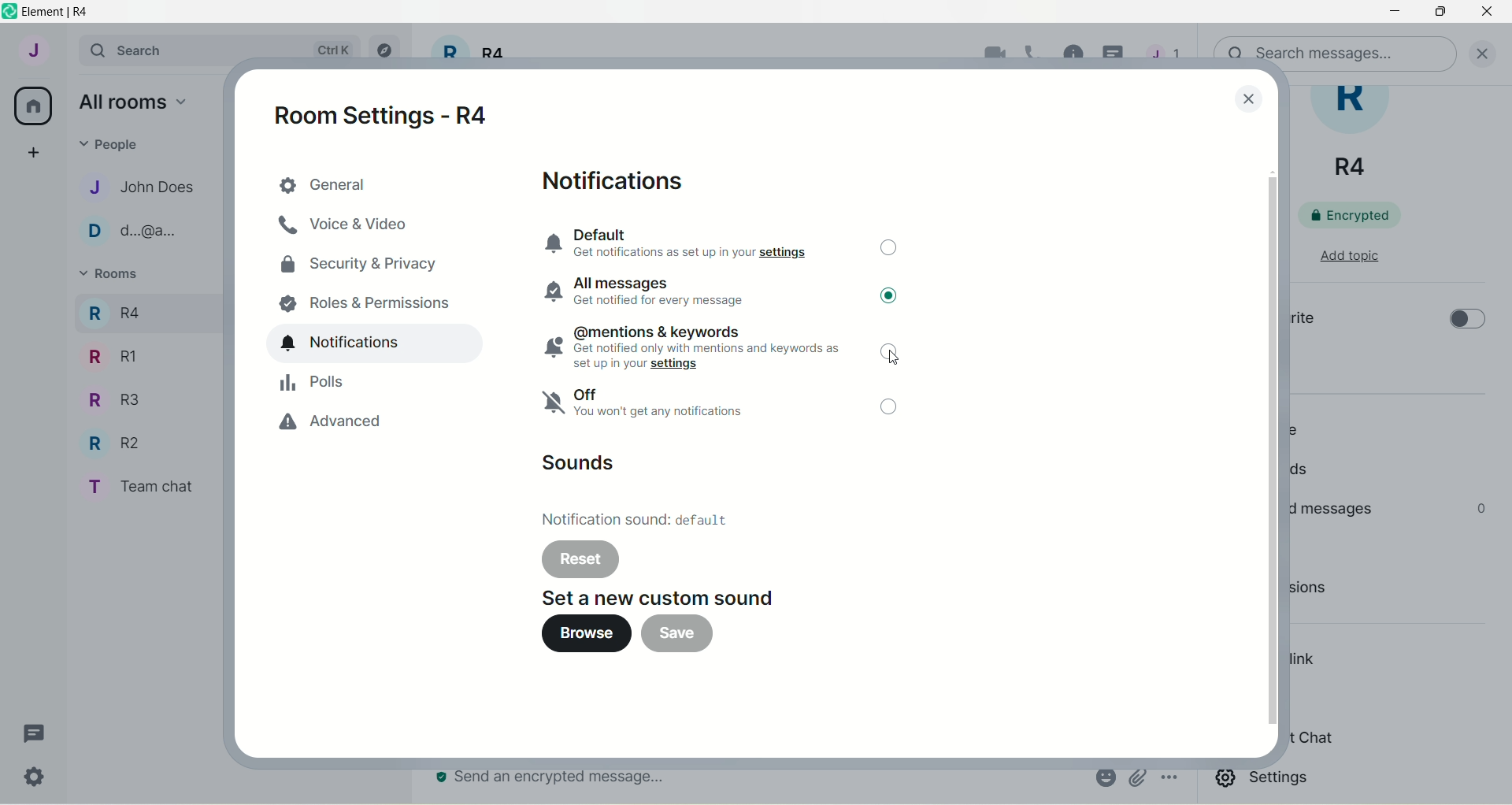 Image resolution: width=1512 pixels, height=805 pixels. Describe the element at coordinates (657, 408) in the screenshot. I see `nN ort
™ You won't get any notifications` at that location.